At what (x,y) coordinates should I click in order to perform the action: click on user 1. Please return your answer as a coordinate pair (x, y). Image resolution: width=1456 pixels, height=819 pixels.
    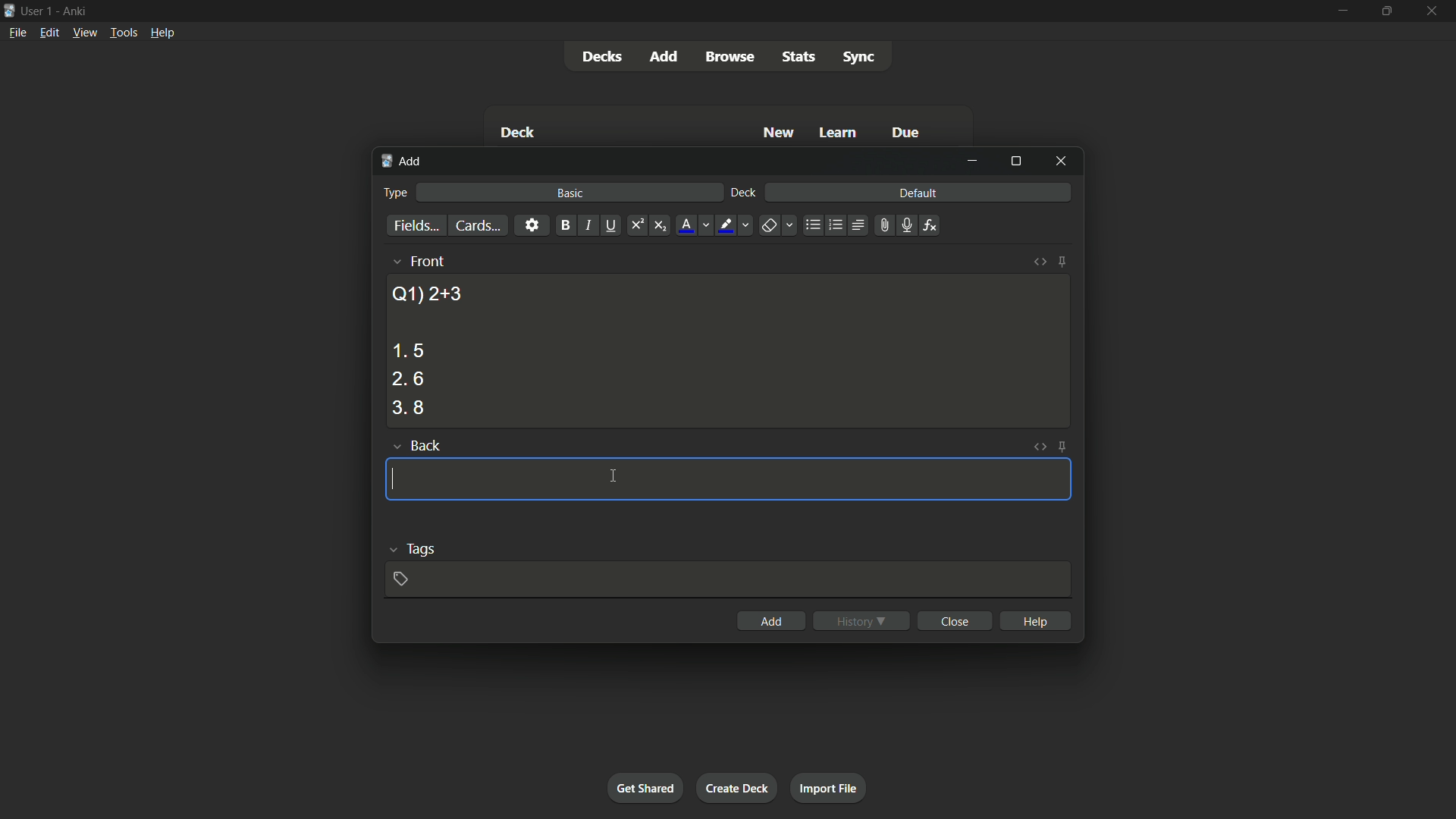
    Looking at the image, I should click on (37, 8).